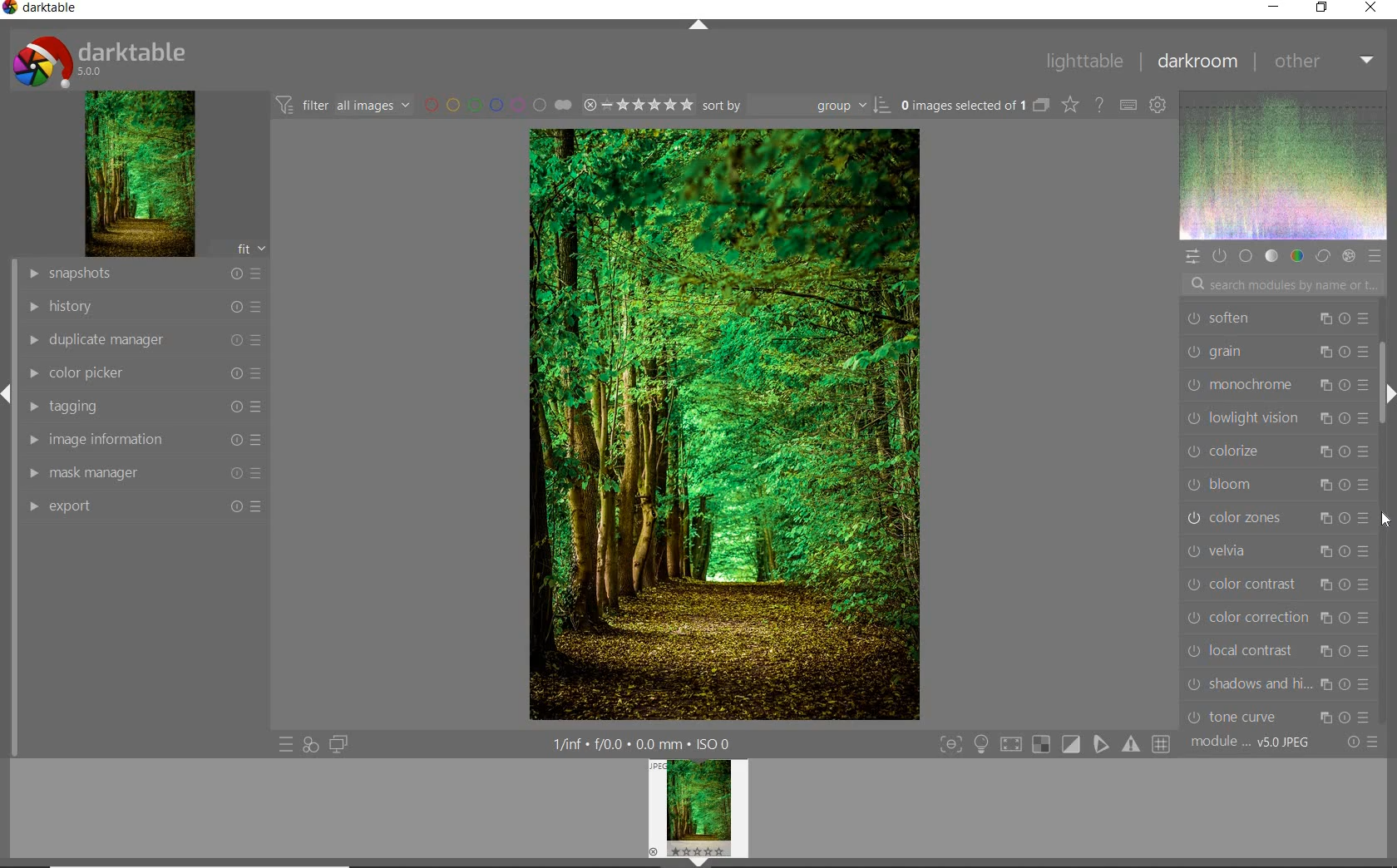  Describe the element at coordinates (962, 106) in the screenshot. I see `SELECTED IMAGE` at that location.